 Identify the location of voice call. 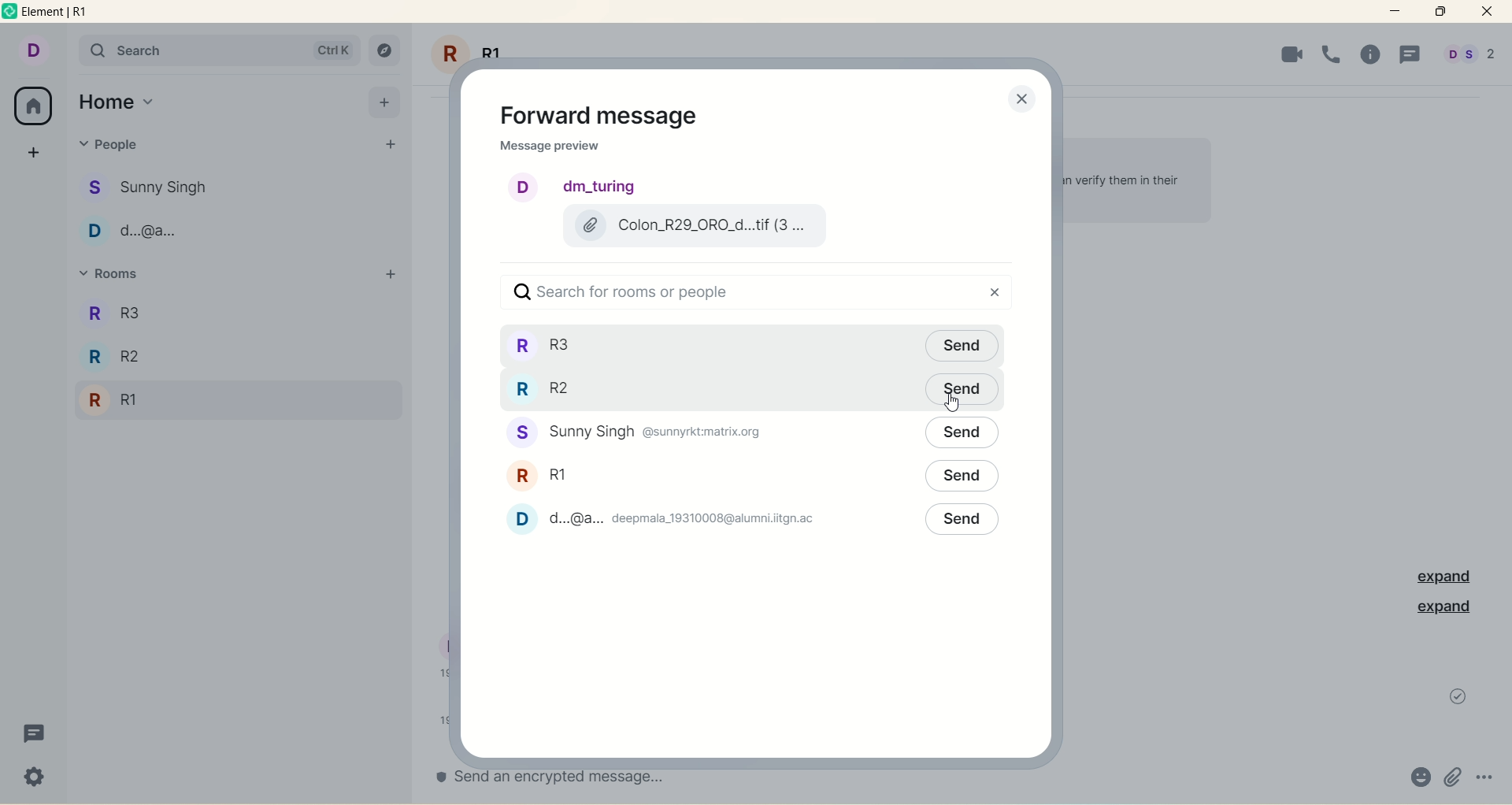
(1333, 53).